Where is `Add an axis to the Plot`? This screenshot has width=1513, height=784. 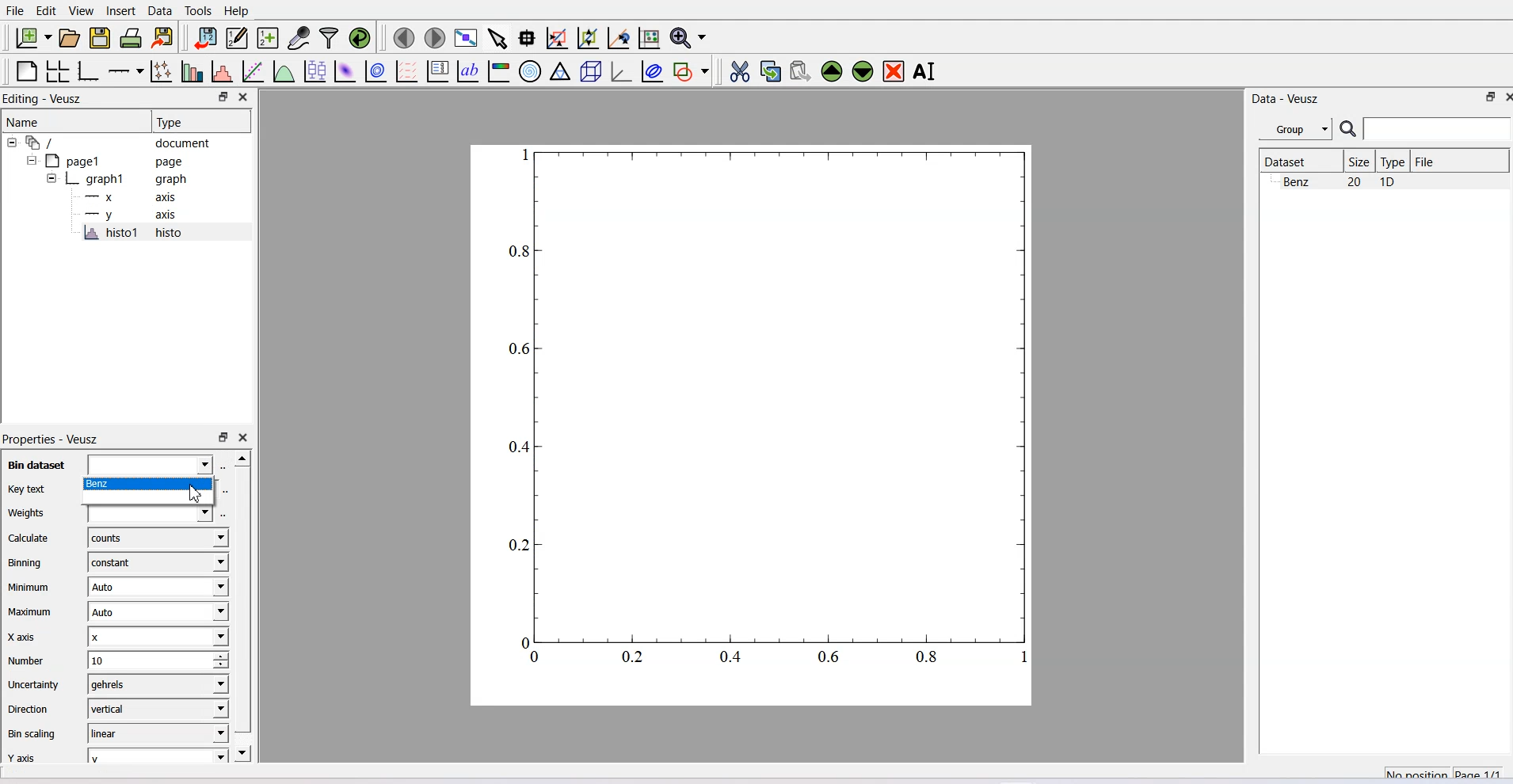 Add an axis to the Plot is located at coordinates (125, 71).